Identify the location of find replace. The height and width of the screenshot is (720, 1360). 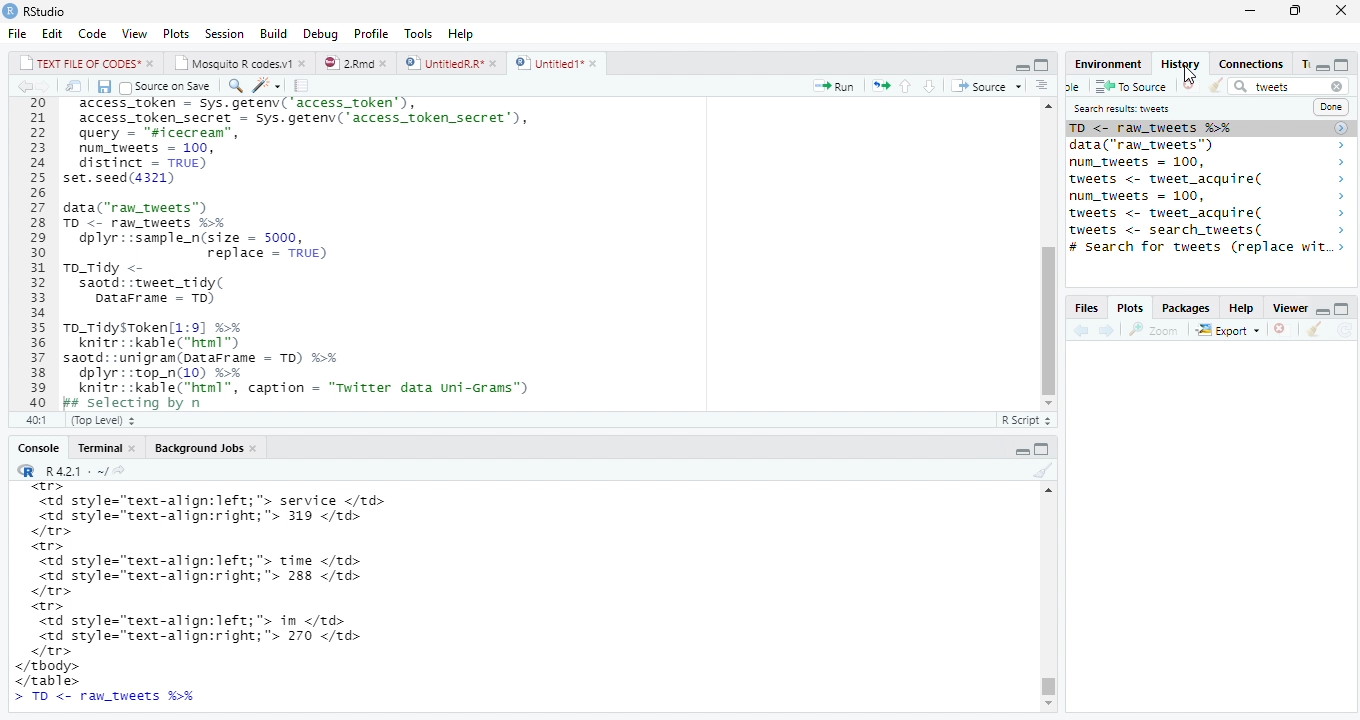
(237, 85).